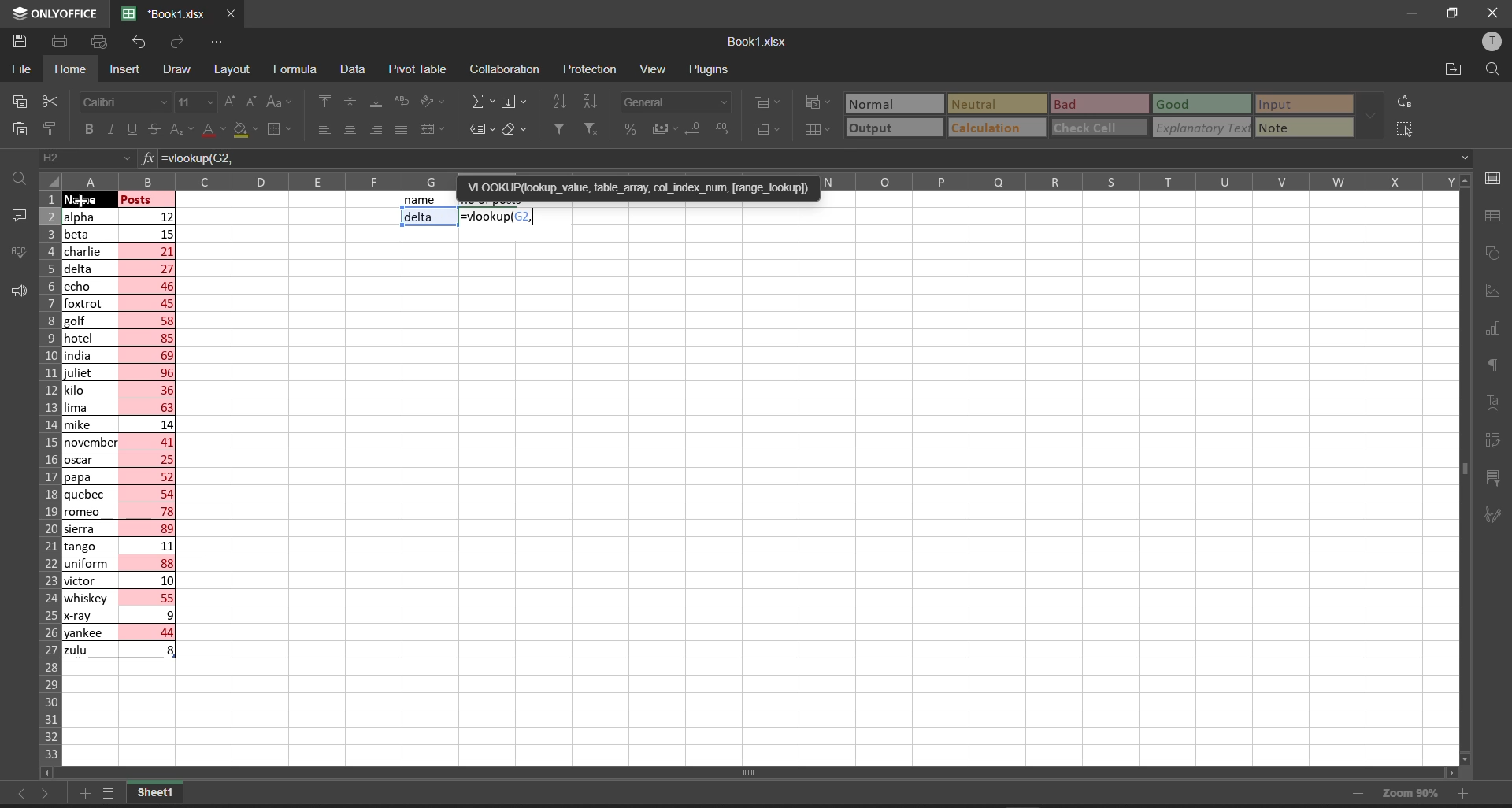 Image resolution: width=1512 pixels, height=808 pixels. Describe the element at coordinates (348, 130) in the screenshot. I see `align center` at that location.